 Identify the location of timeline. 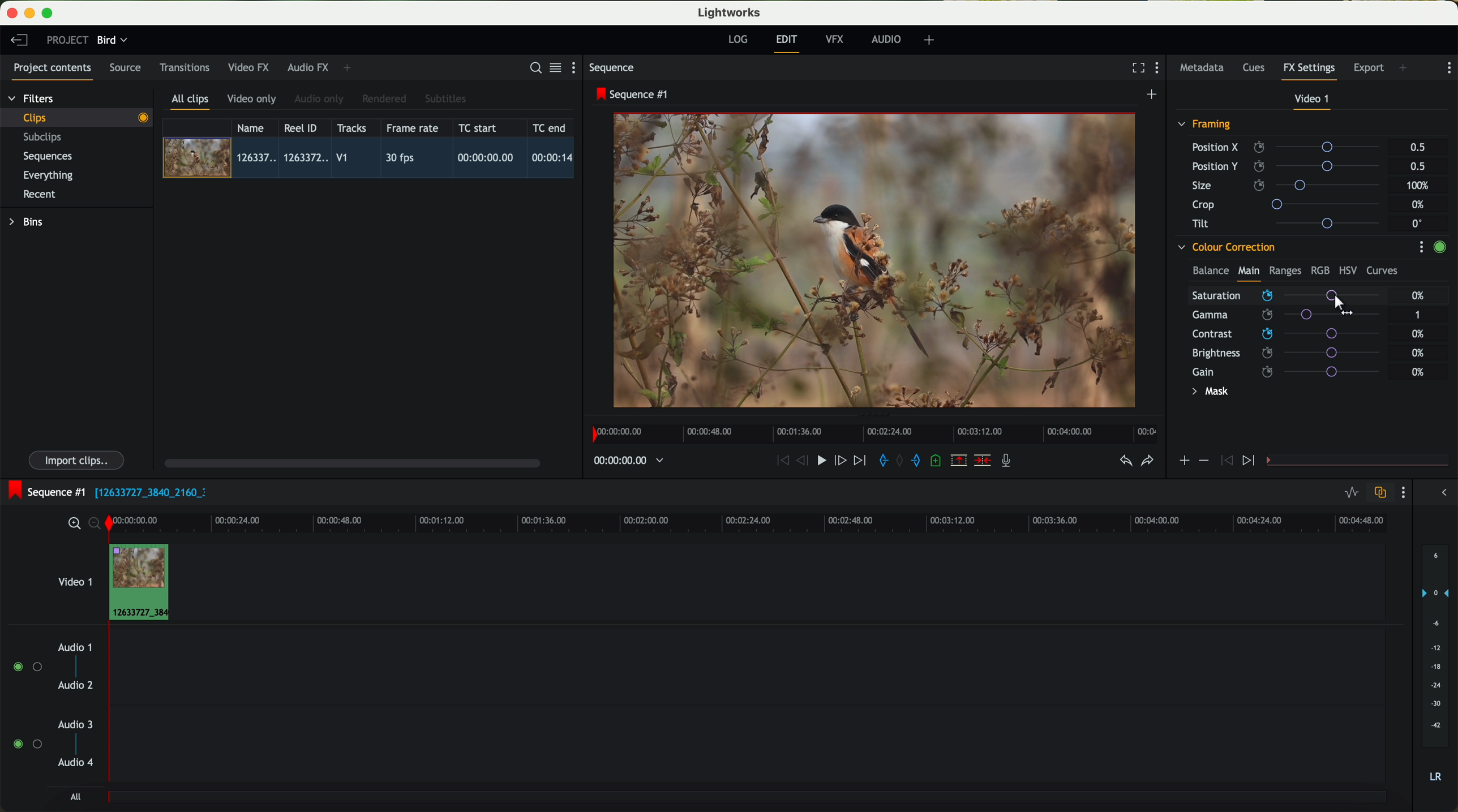
(778, 522).